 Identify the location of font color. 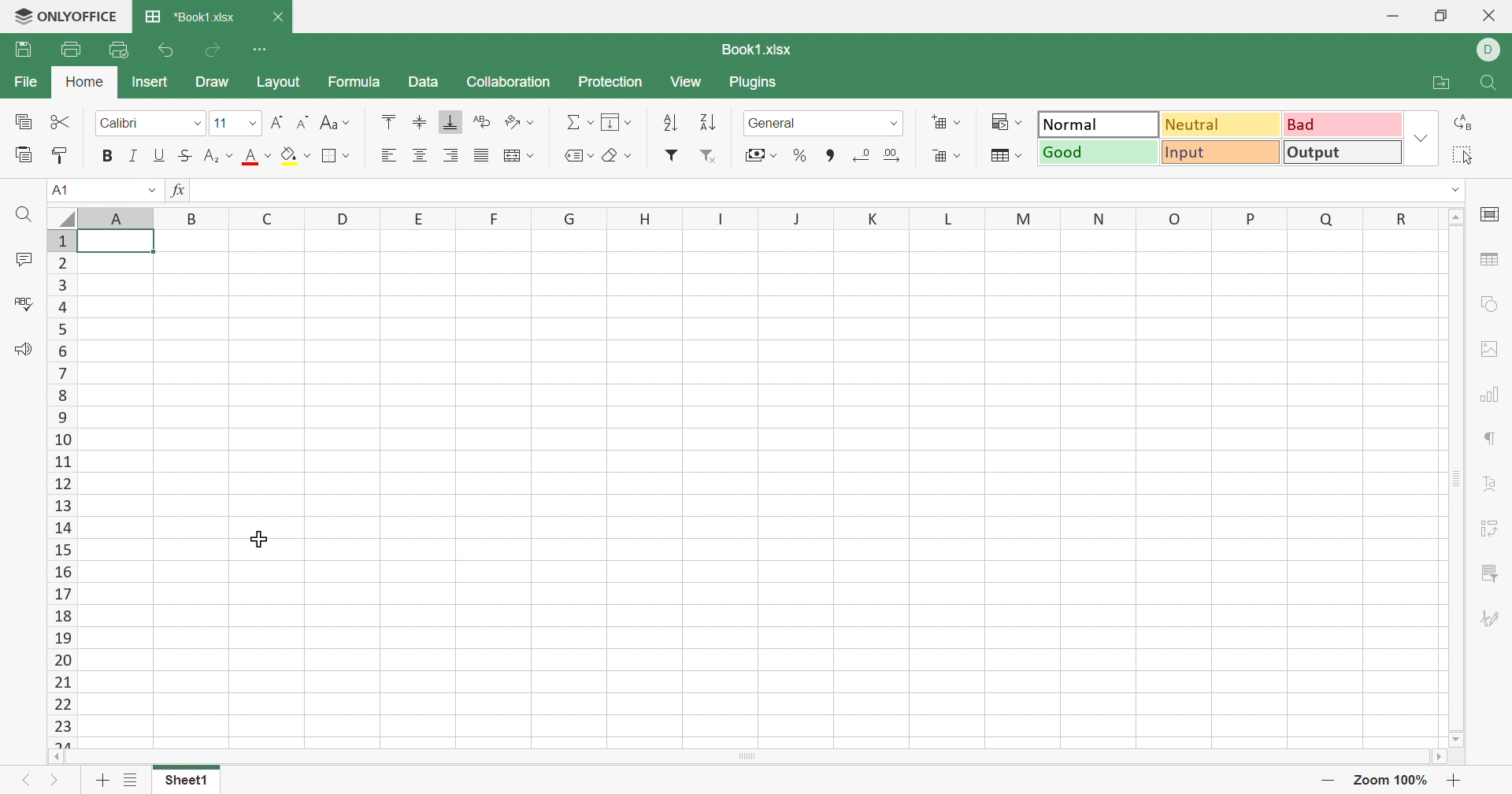
(250, 156).